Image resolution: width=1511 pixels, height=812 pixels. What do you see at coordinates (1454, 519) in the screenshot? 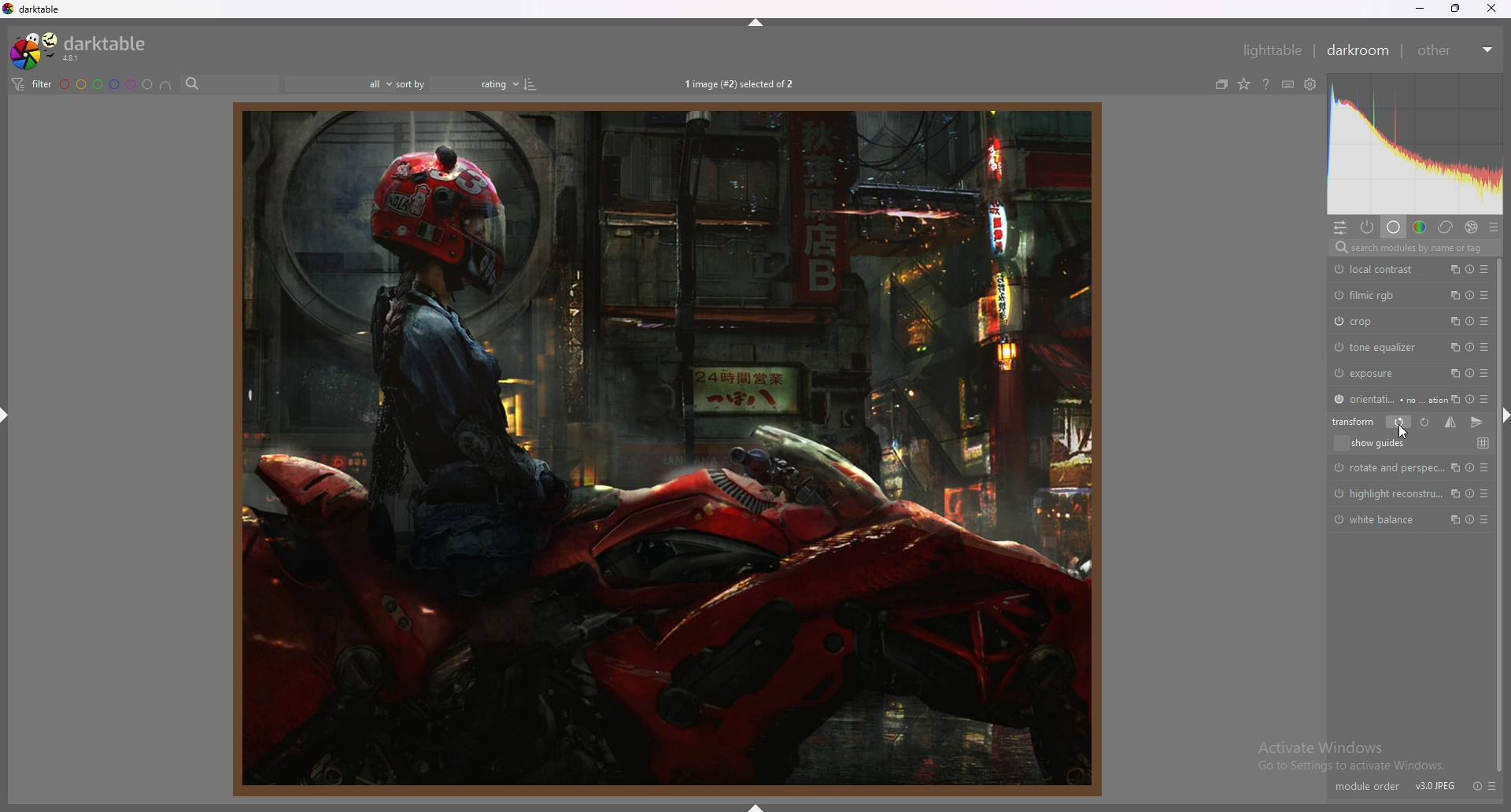
I see `multiple instances action` at bounding box center [1454, 519].